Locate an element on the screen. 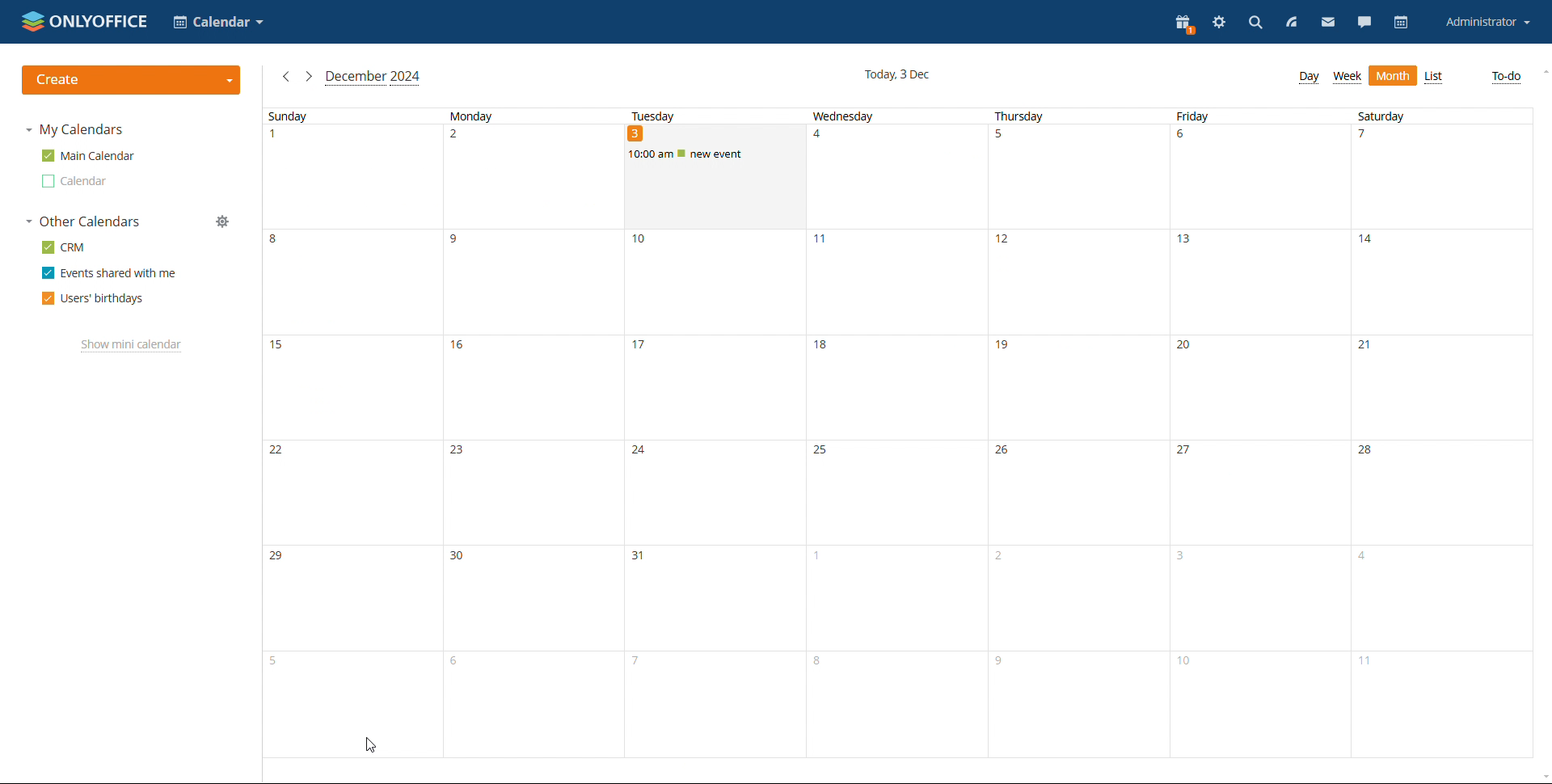 This screenshot has height=784, width=1552. 12 is located at coordinates (1075, 282).